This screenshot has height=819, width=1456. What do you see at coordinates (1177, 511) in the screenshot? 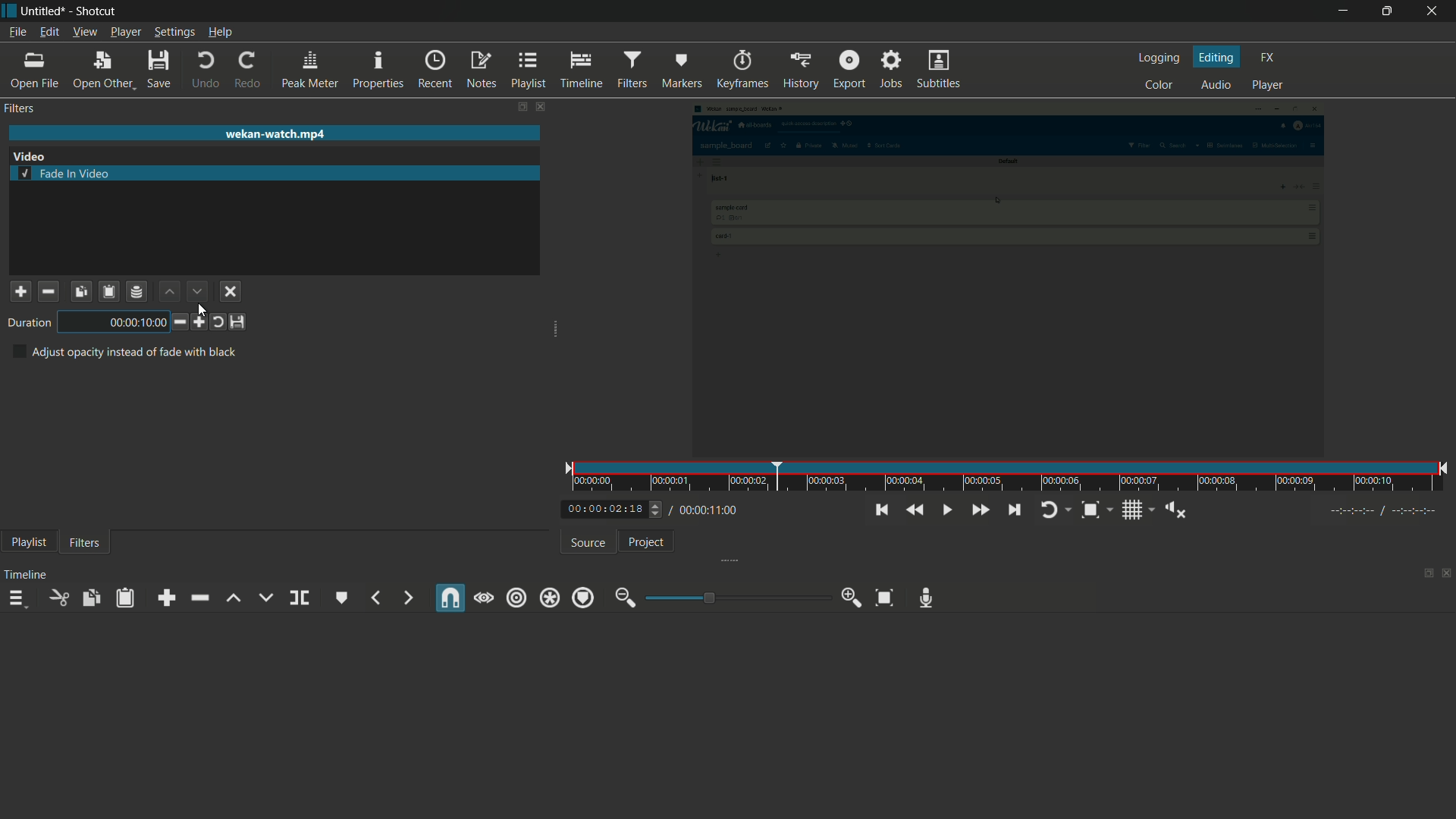
I see `show volume control` at bounding box center [1177, 511].